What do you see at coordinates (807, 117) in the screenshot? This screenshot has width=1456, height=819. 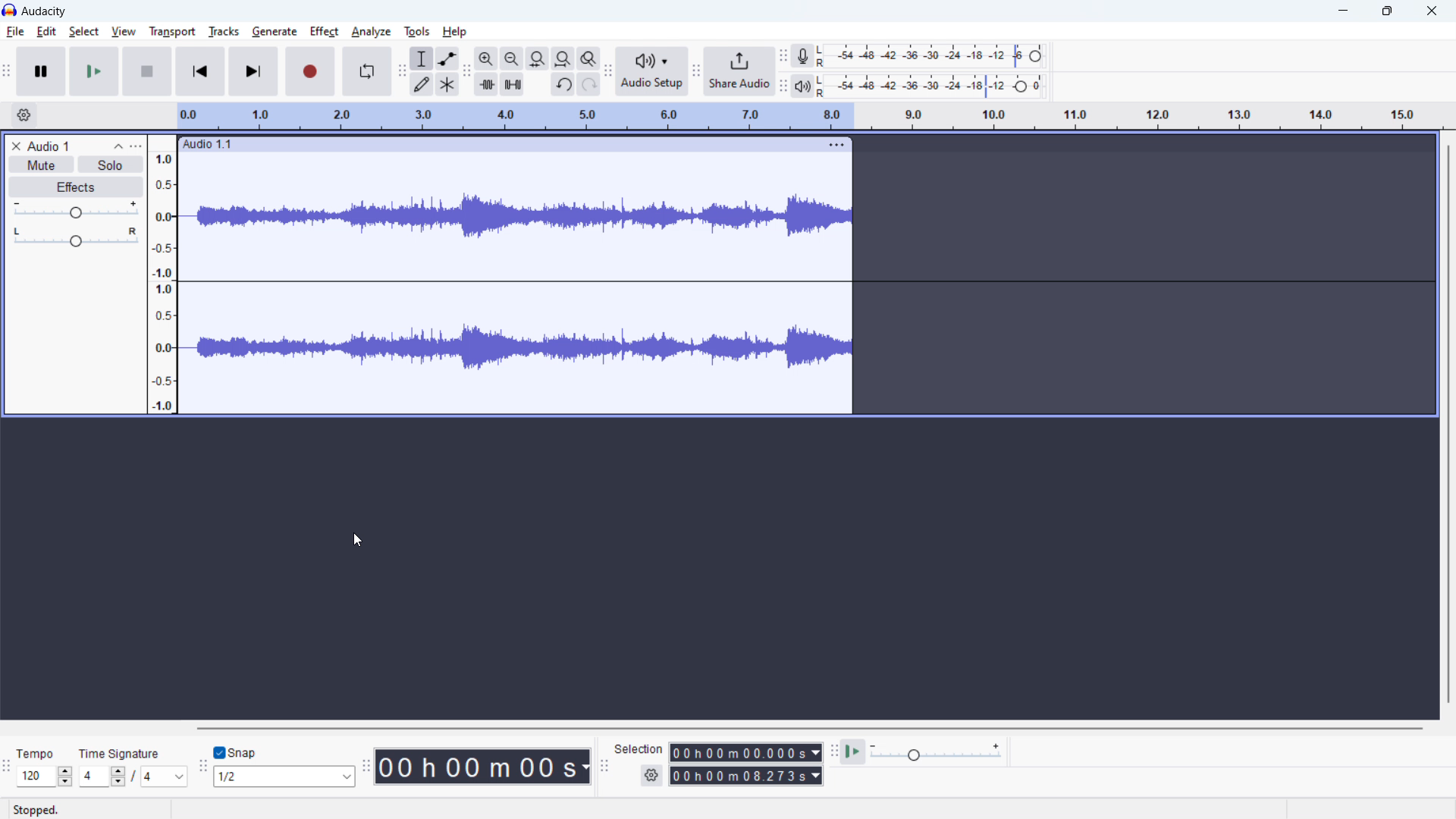 I see `timeline` at bounding box center [807, 117].